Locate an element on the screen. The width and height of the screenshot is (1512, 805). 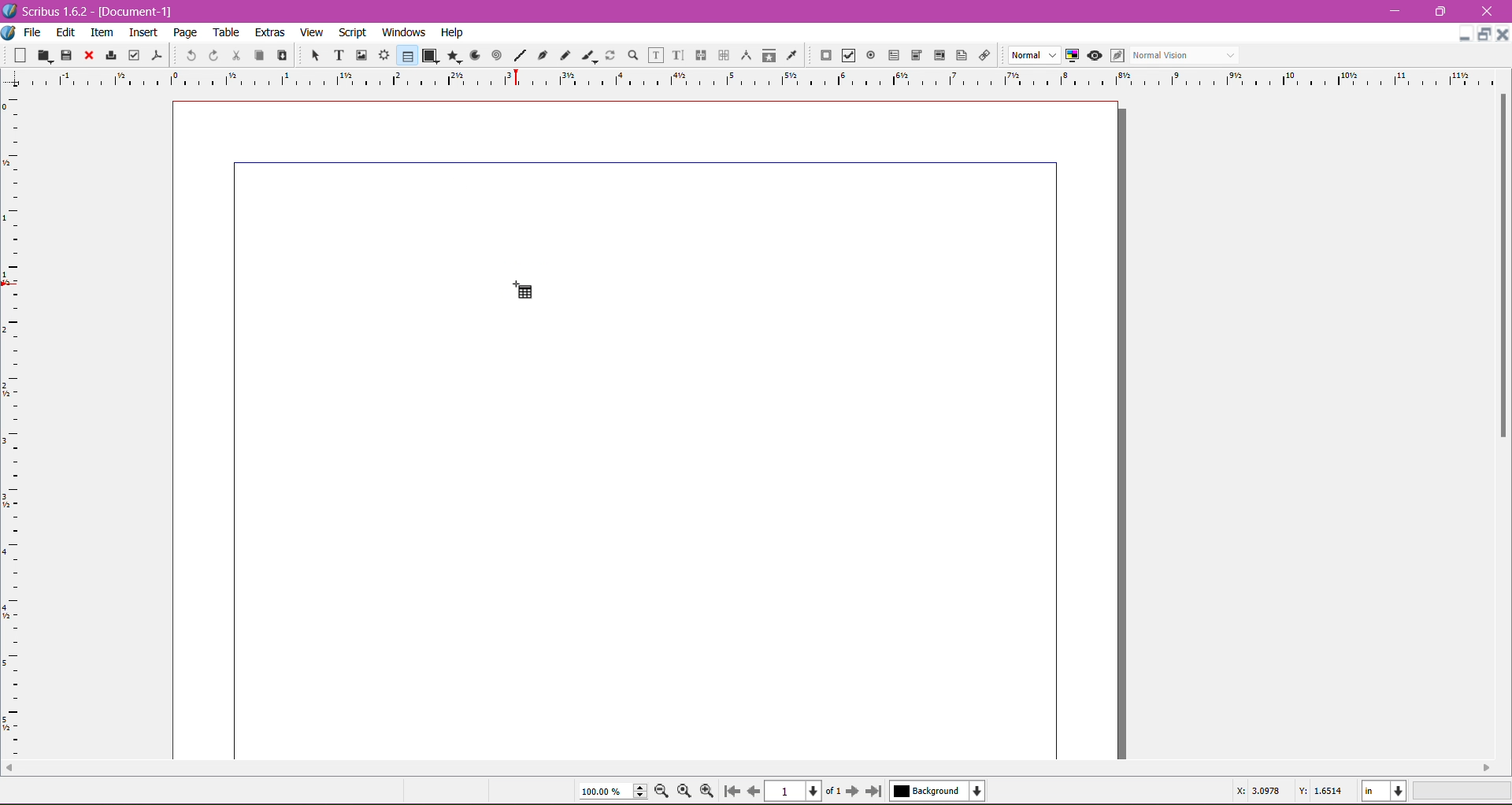
Toggle Color Management System is located at coordinates (1070, 54).